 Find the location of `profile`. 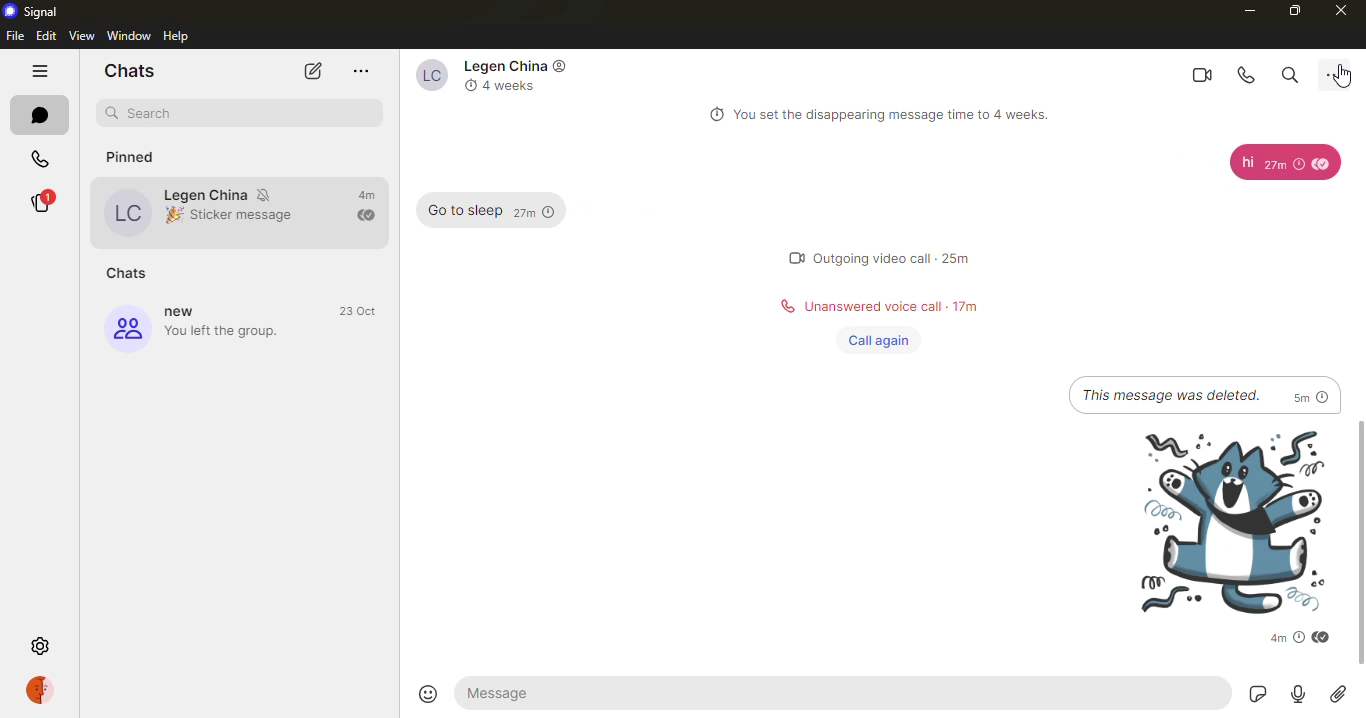

profile is located at coordinates (425, 75).